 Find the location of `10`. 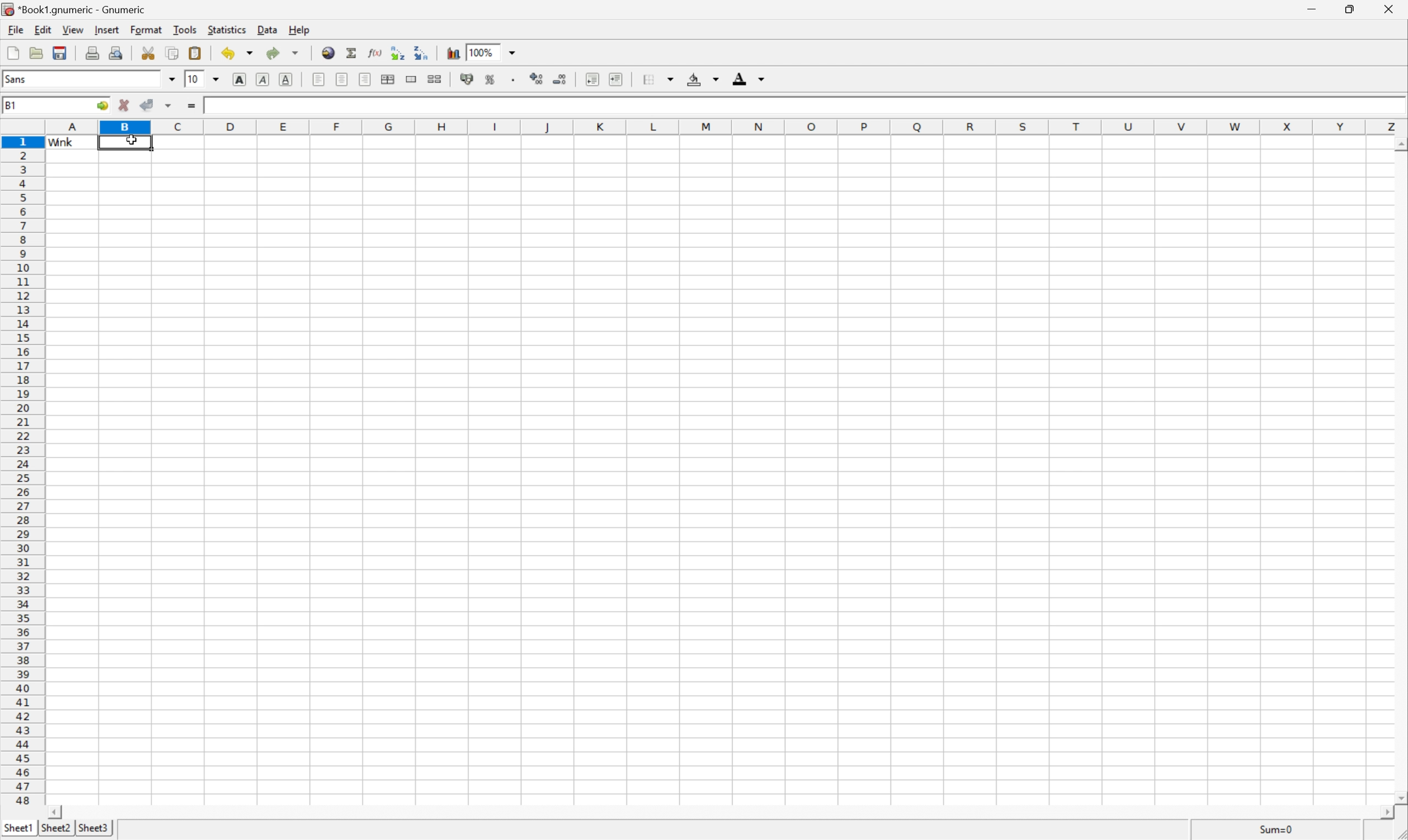

10 is located at coordinates (195, 78).